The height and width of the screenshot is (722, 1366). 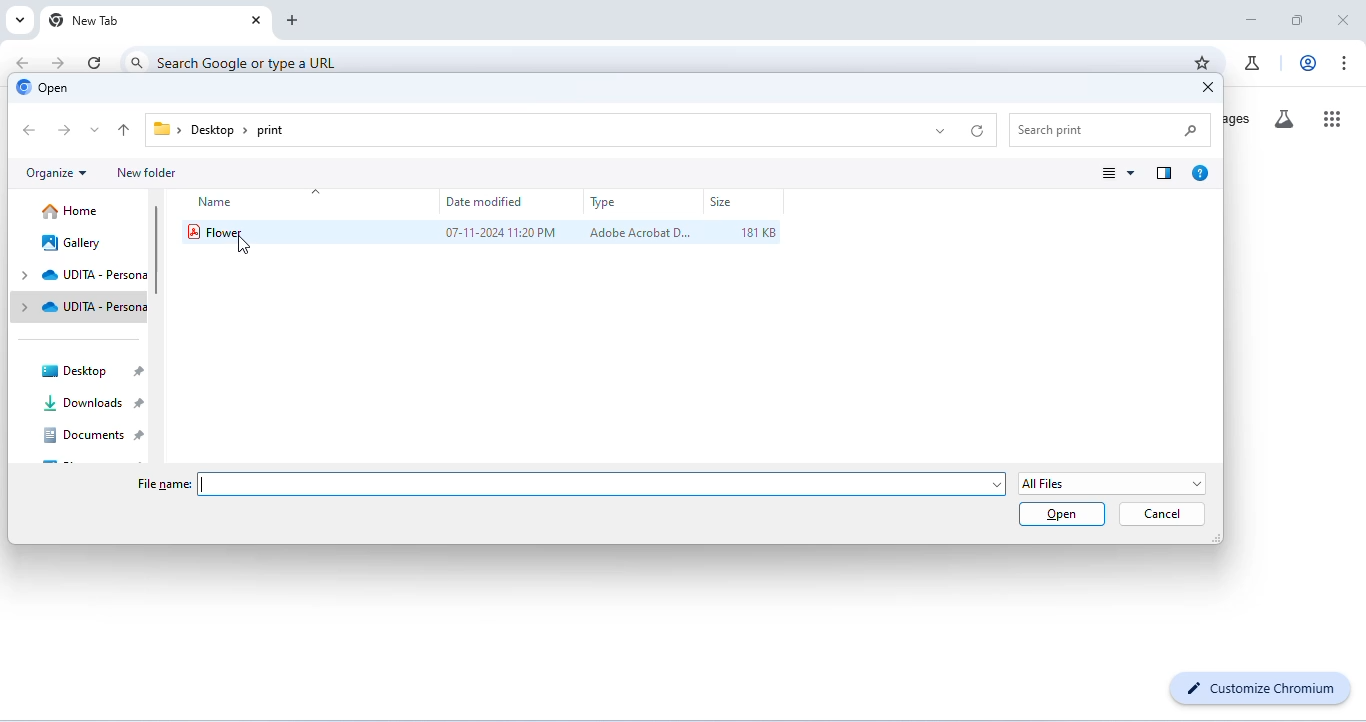 What do you see at coordinates (484, 202) in the screenshot?
I see `date modified` at bounding box center [484, 202].